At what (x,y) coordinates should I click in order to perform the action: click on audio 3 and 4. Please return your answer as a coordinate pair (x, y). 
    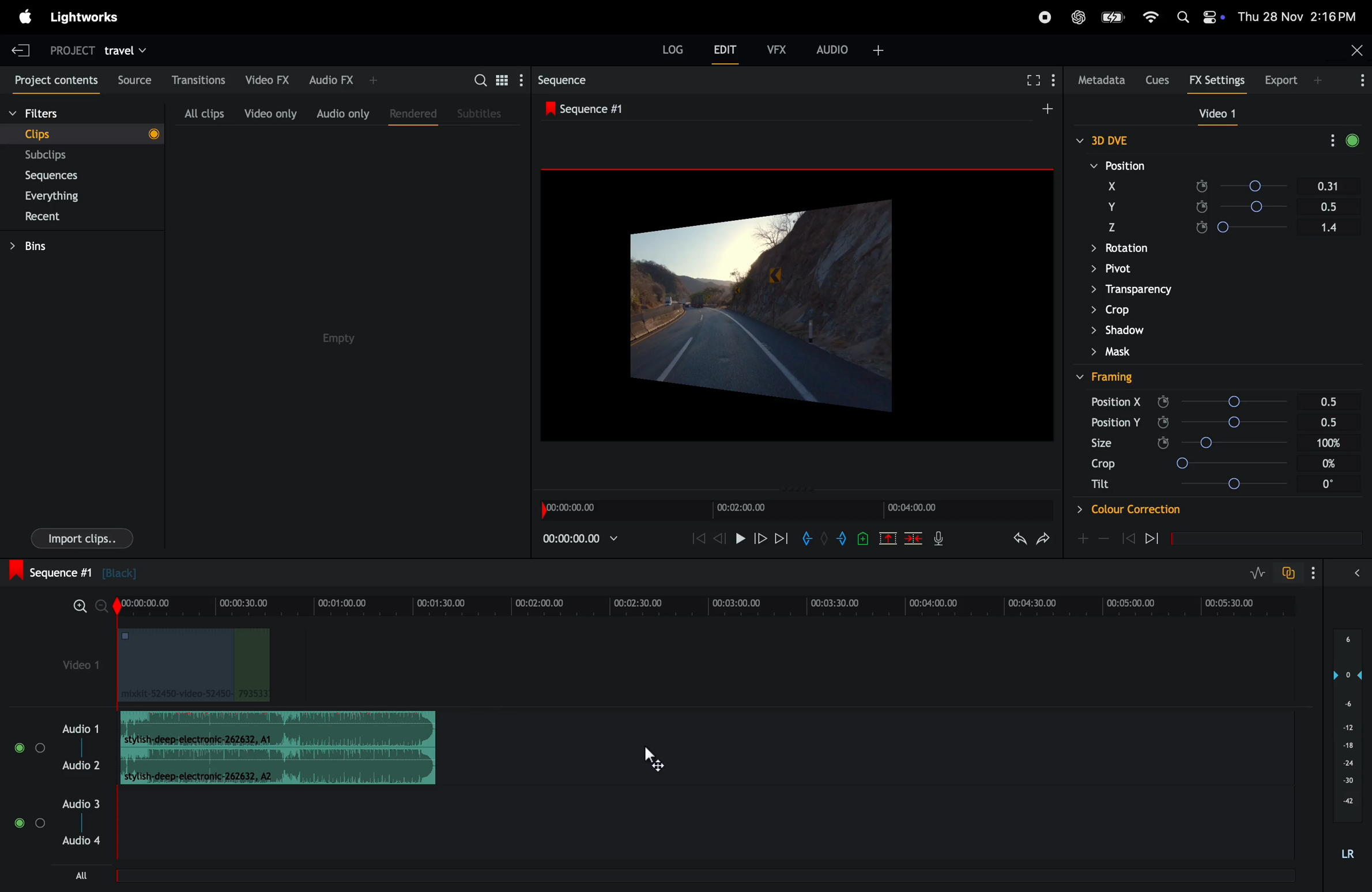
    Looking at the image, I should click on (65, 825).